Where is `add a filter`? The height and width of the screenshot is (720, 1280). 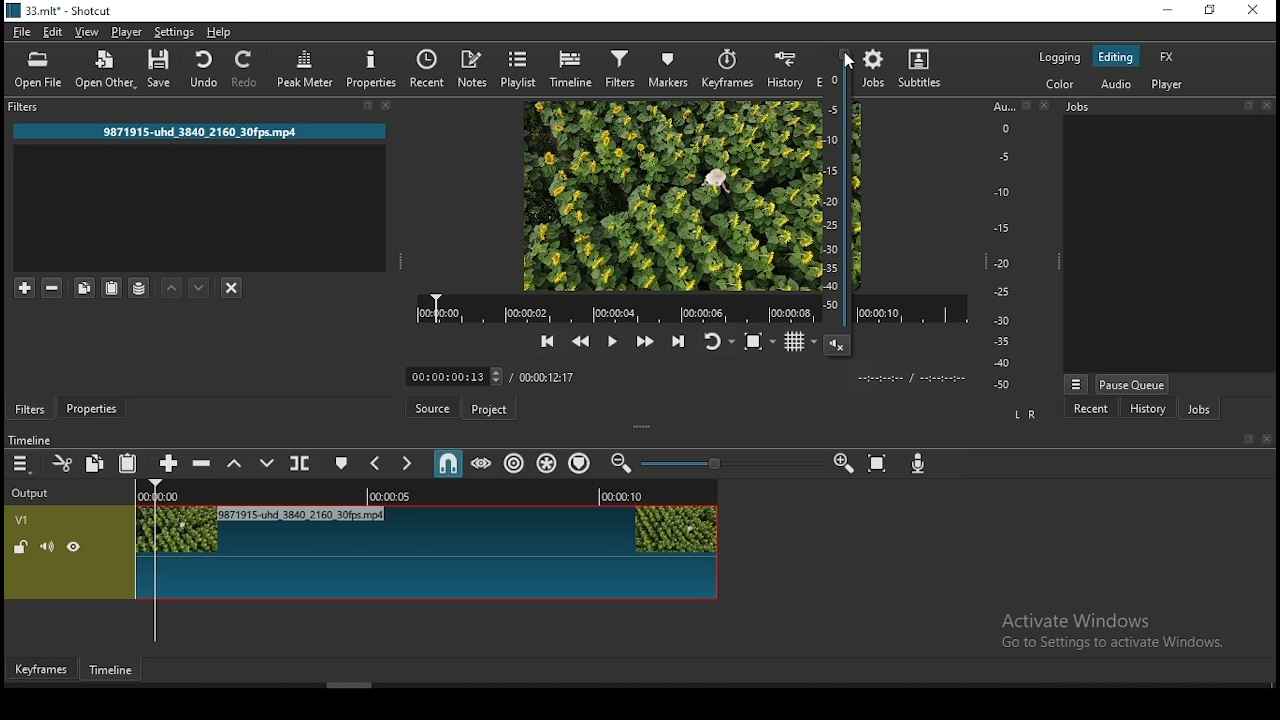 add a filter is located at coordinates (26, 288).